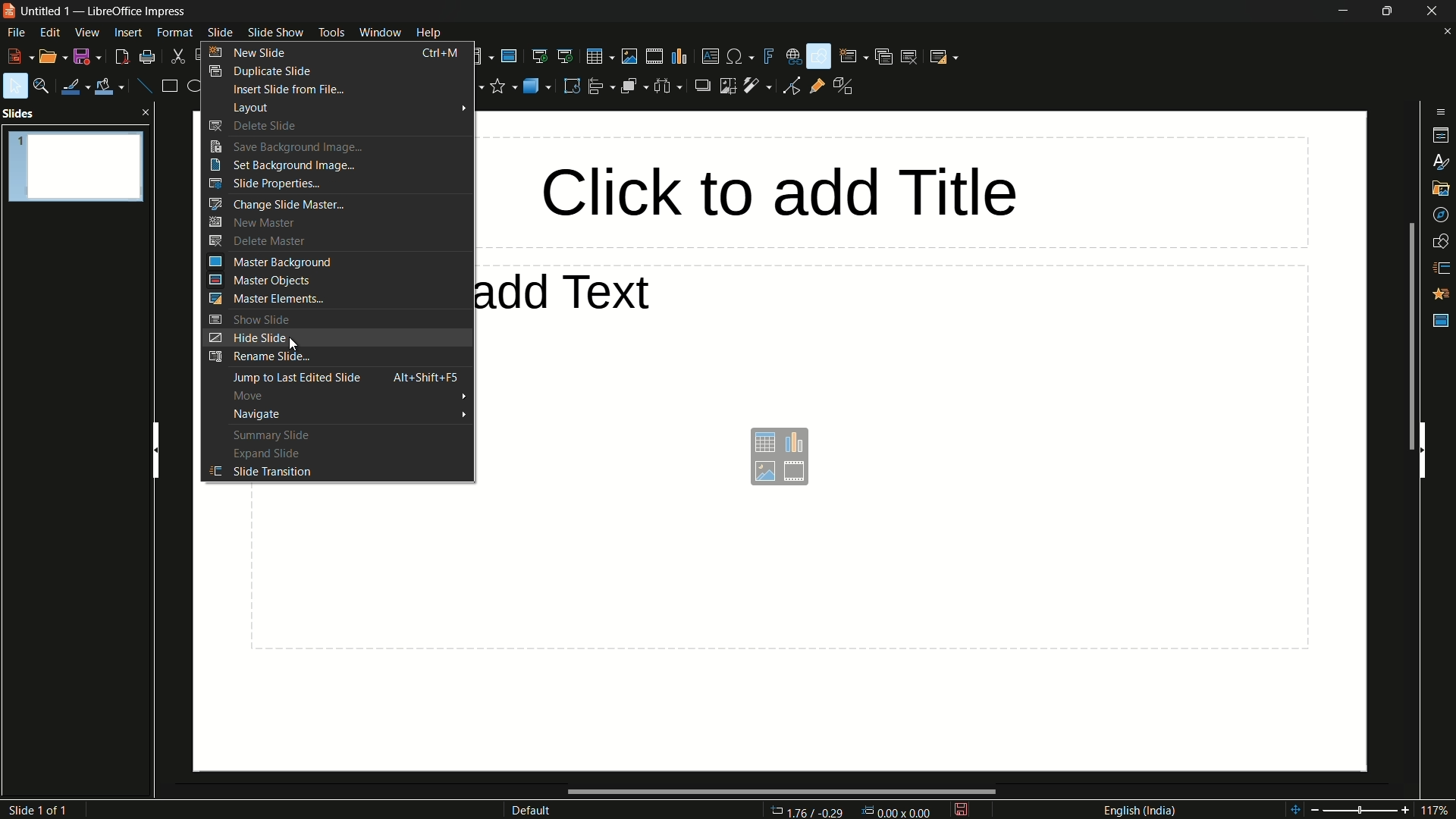 The width and height of the screenshot is (1456, 819). I want to click on change slide master, so click(277, 204).